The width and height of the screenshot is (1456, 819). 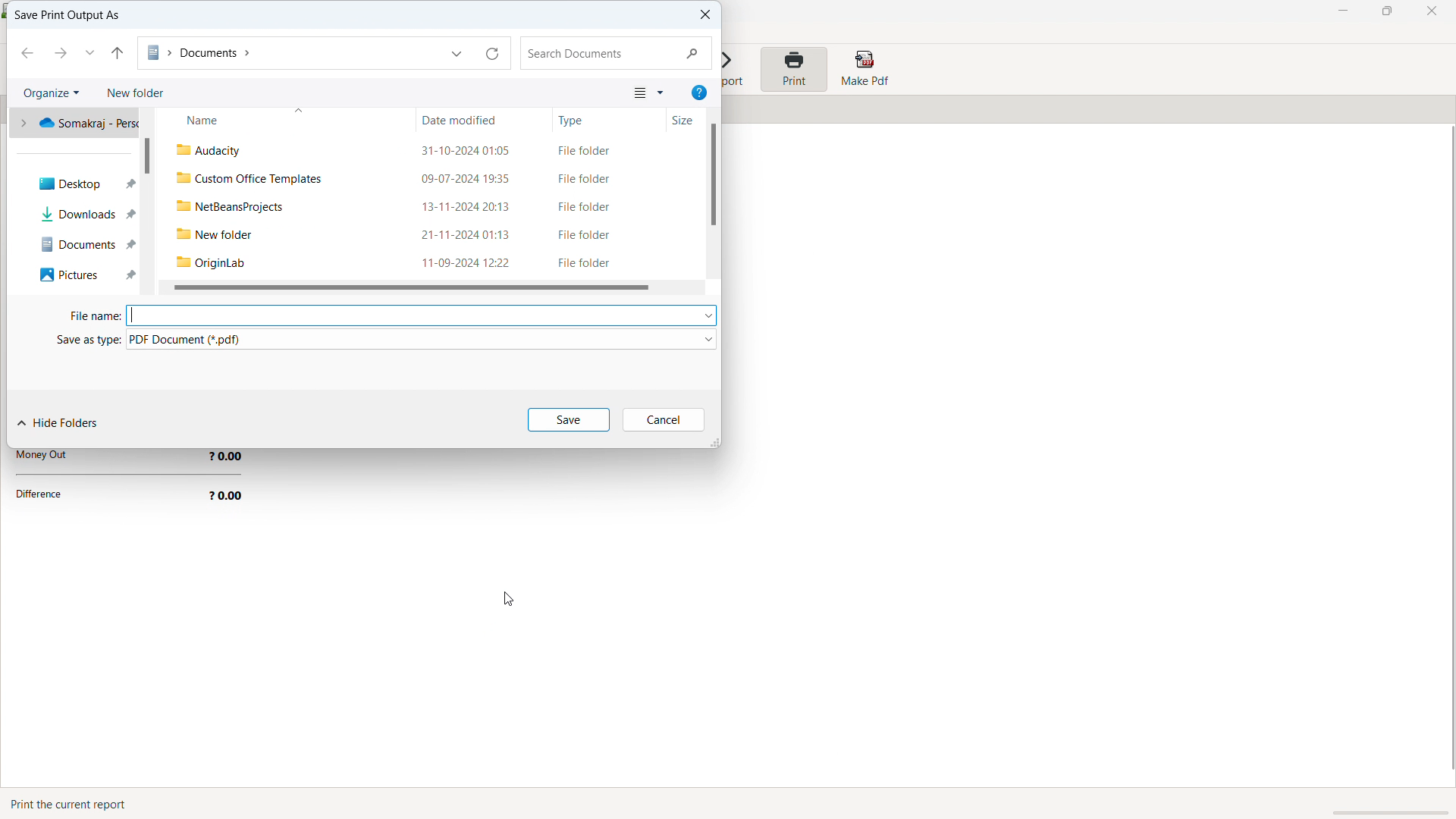 What do you see at coordinates (714, 441) in the screenshot?
I see `resize` at bounding box center [714, 441].